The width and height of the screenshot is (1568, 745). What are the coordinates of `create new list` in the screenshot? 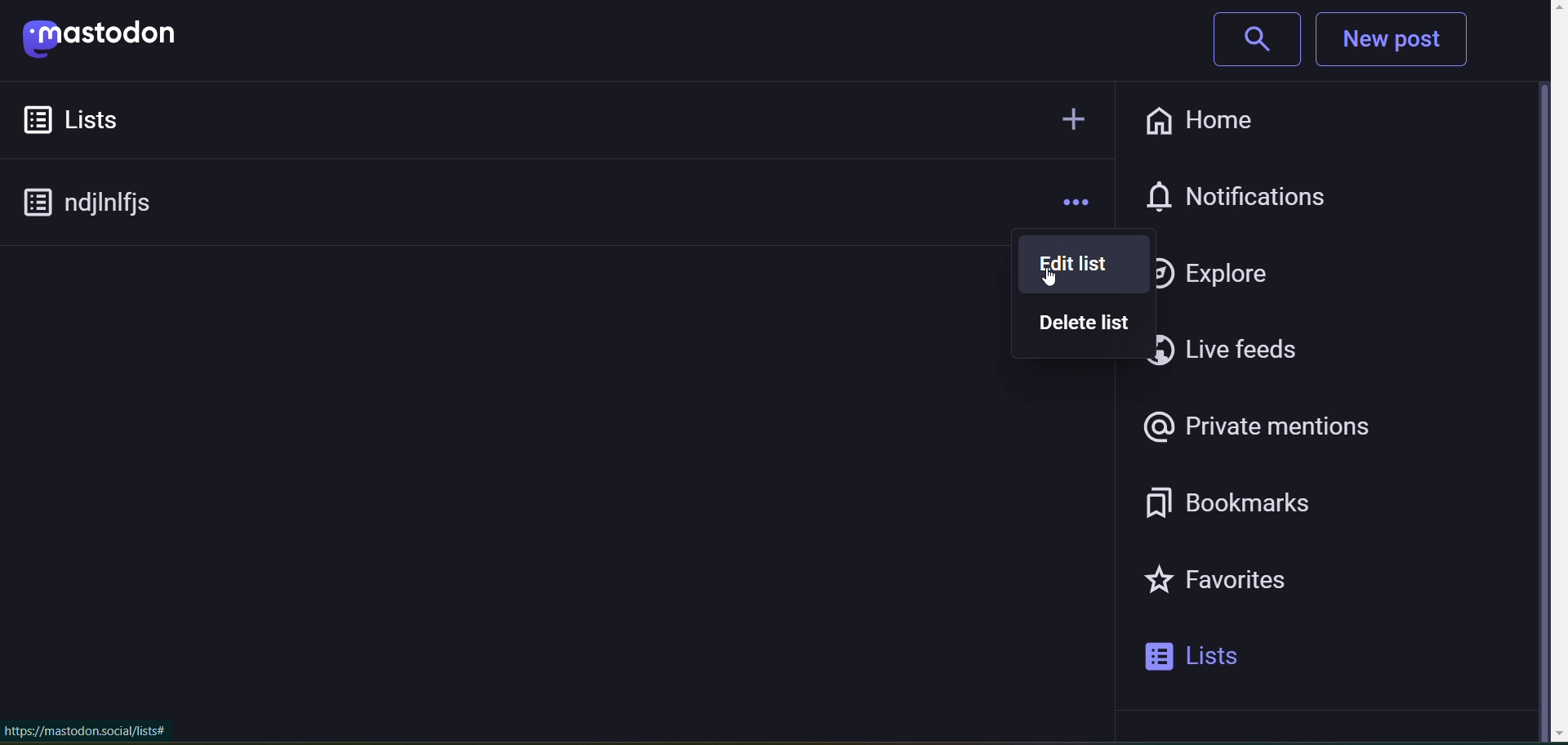 It's located at (1068, 117).